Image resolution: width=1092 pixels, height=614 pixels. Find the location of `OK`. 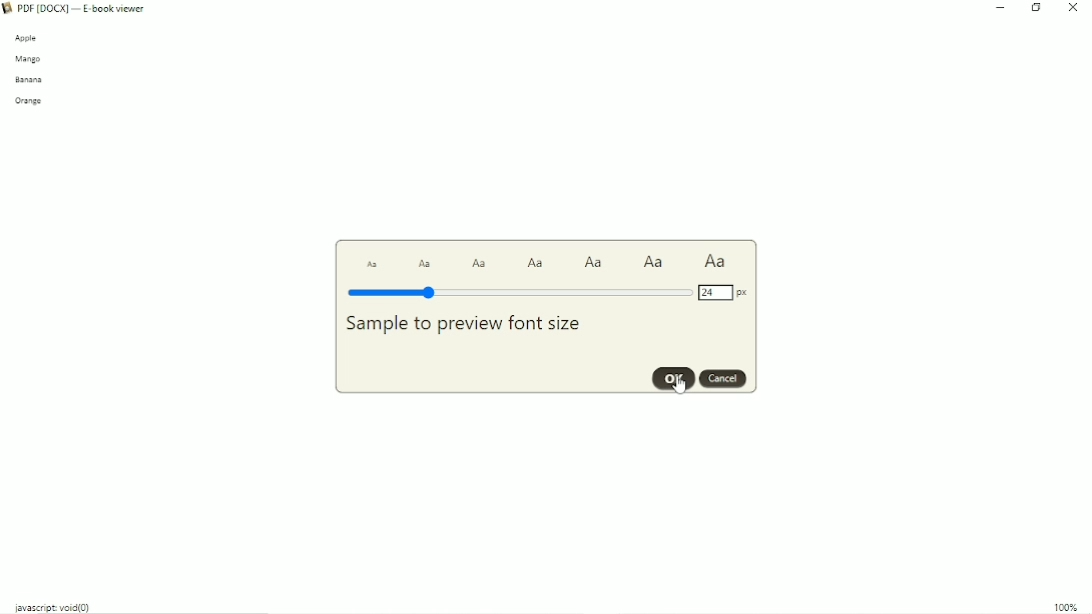

OK is located at coordinates (674, 378).